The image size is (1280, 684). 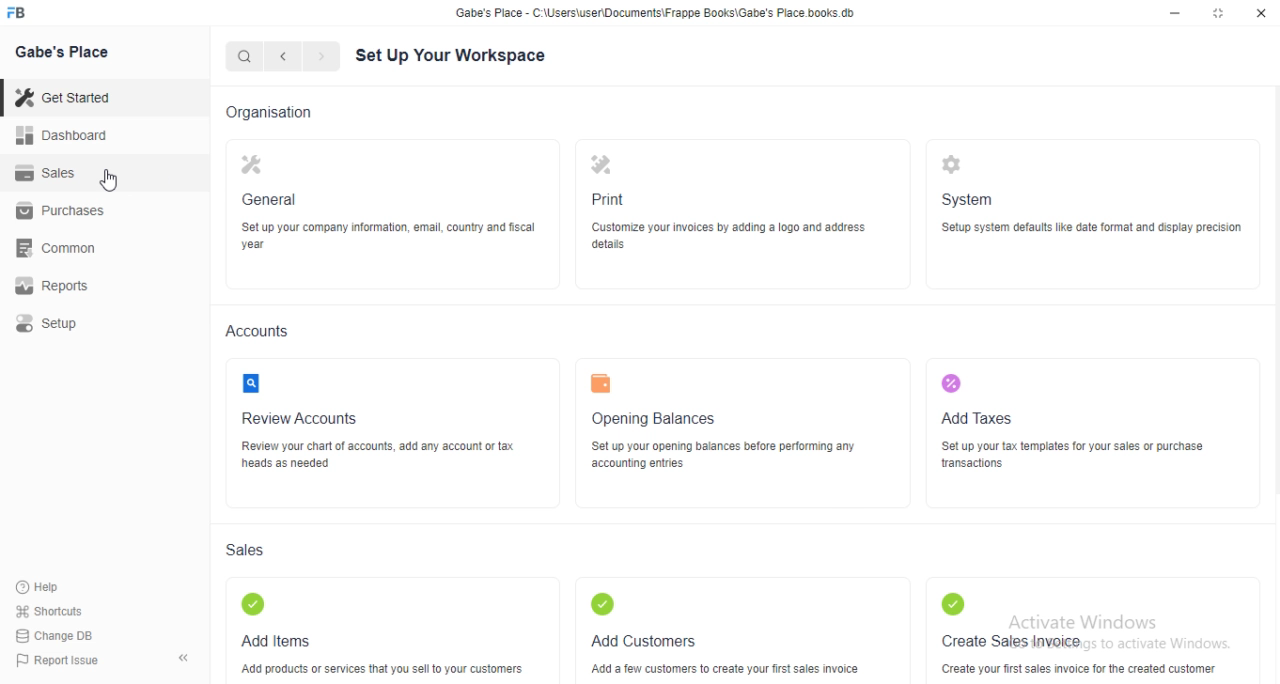 I want to click on purchases, so click(x=60, y=211).